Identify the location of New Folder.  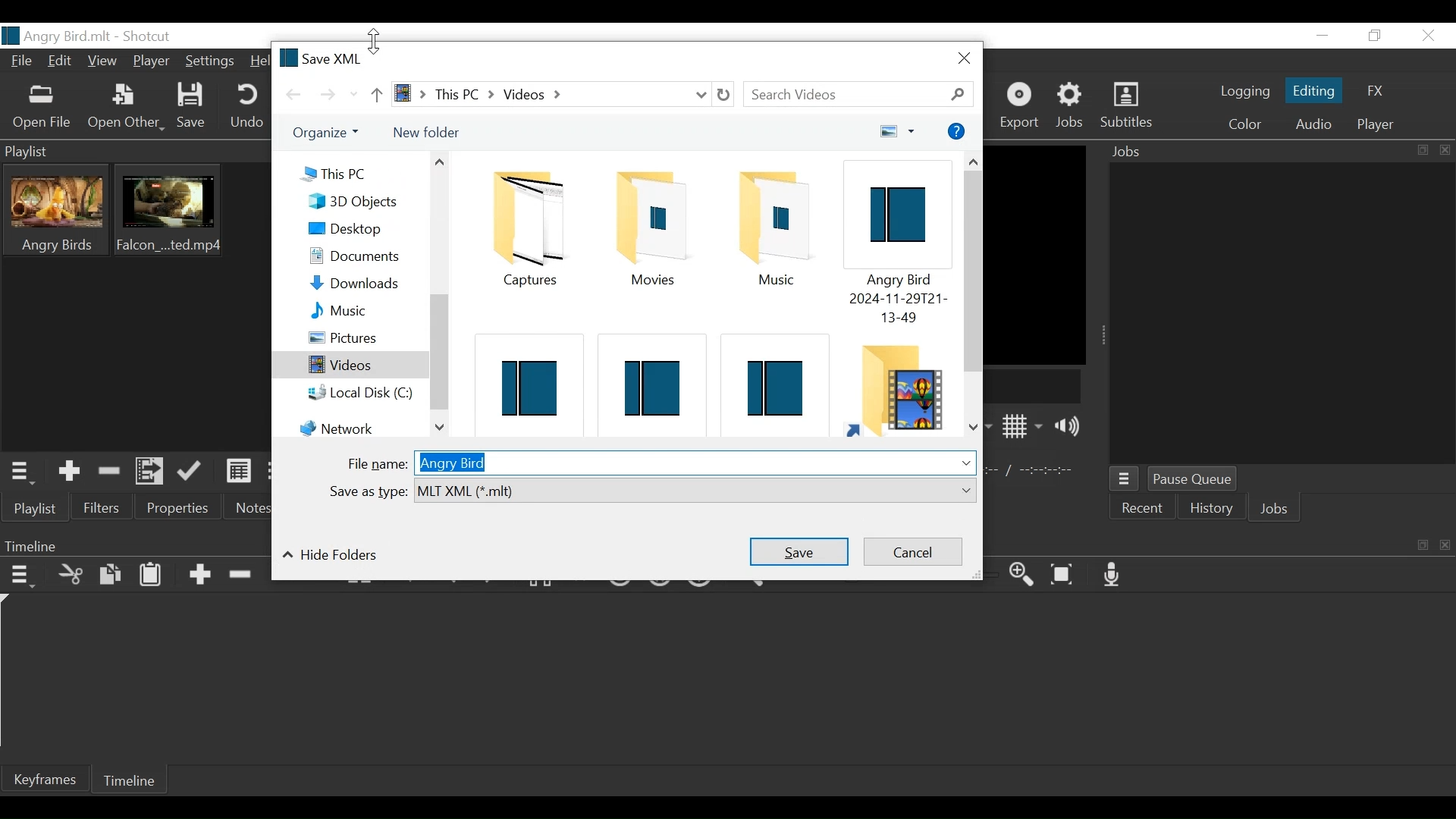
(425, 131).